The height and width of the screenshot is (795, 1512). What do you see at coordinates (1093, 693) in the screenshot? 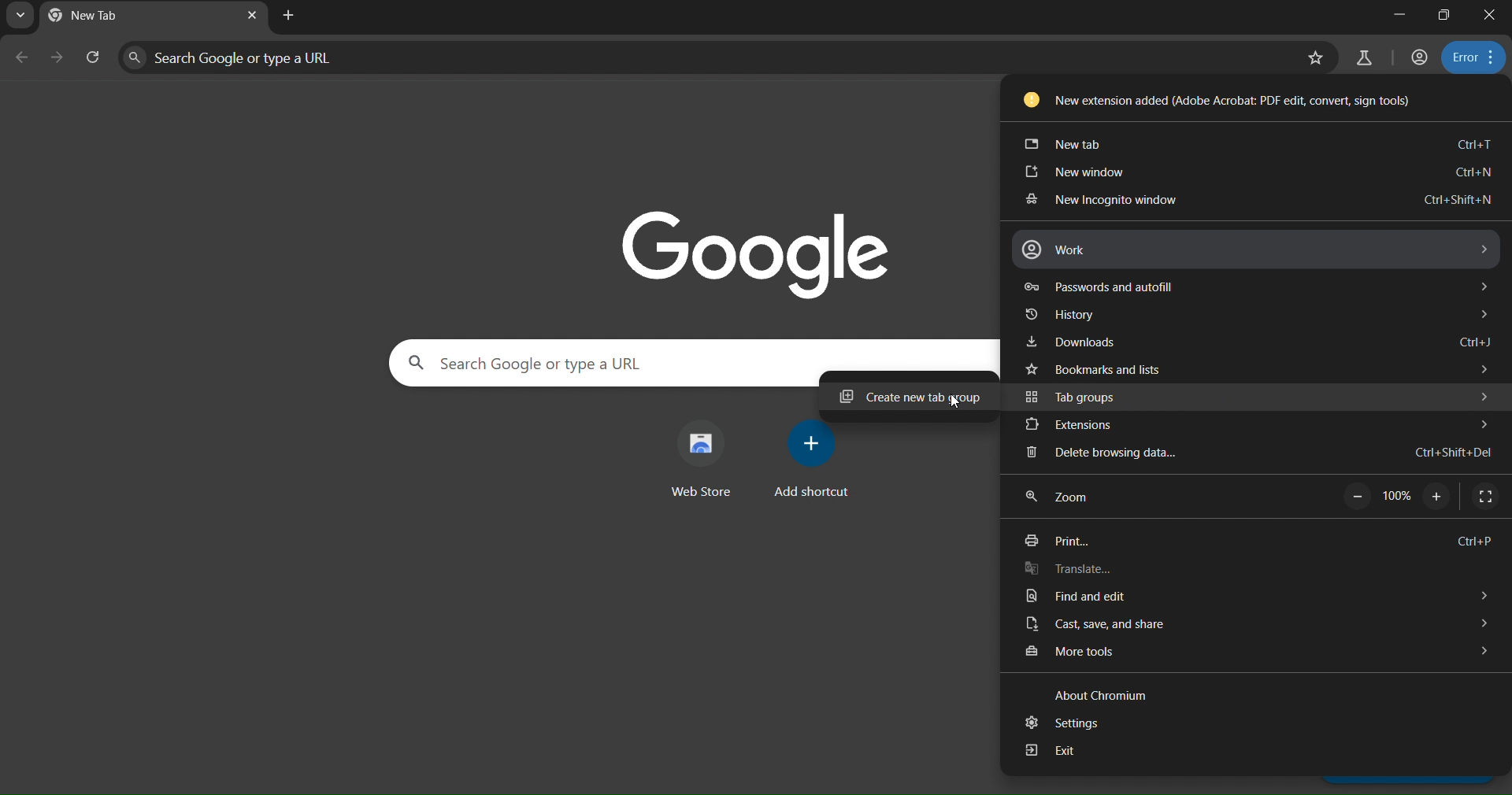
I see `about chromium` at bounding box center [1093, 693].